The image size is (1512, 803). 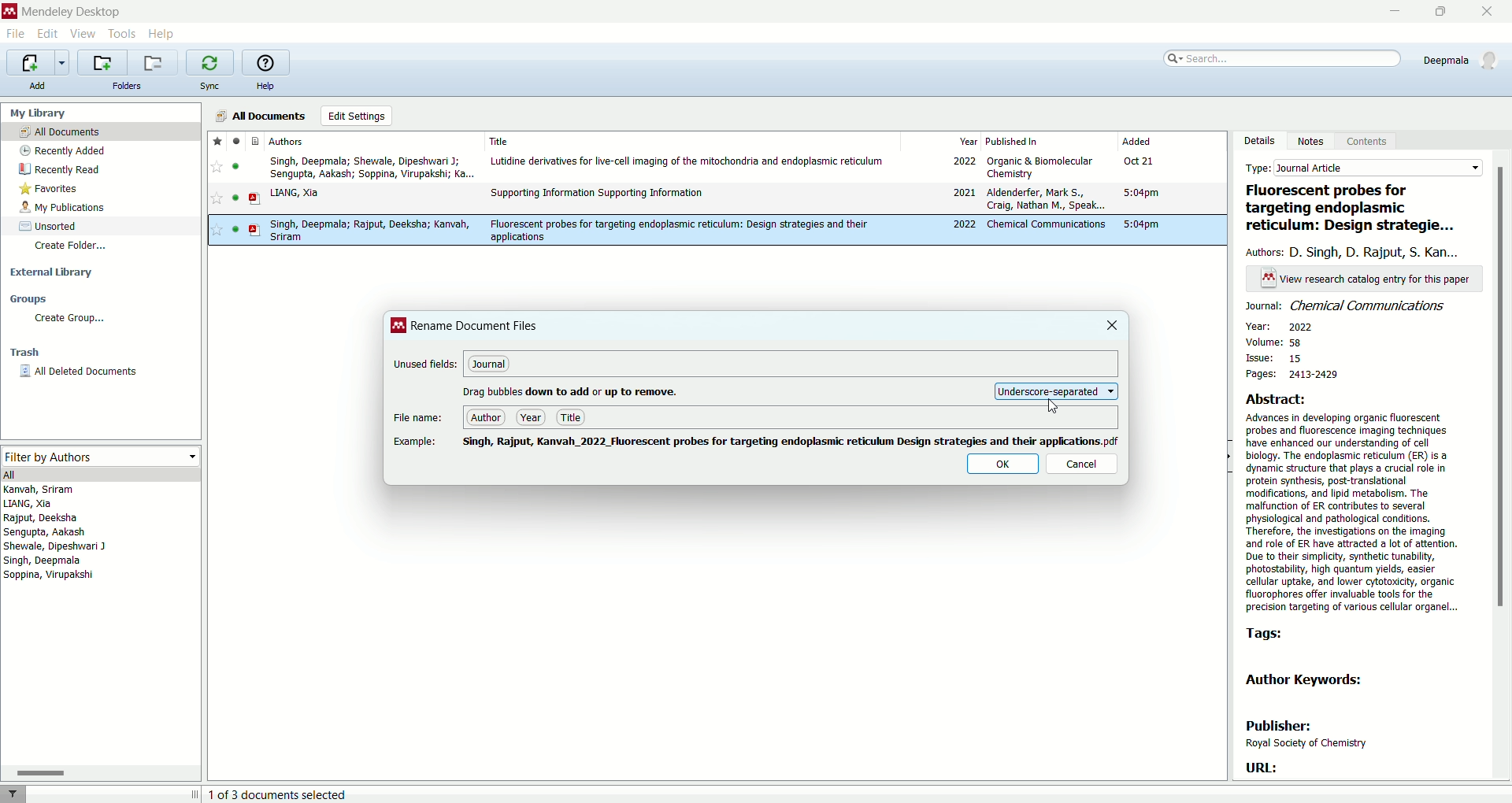 What do you see at coordinates (72, 11) in the screenshot?
I see `mendeley desktop` at bounding box center [72, 11].